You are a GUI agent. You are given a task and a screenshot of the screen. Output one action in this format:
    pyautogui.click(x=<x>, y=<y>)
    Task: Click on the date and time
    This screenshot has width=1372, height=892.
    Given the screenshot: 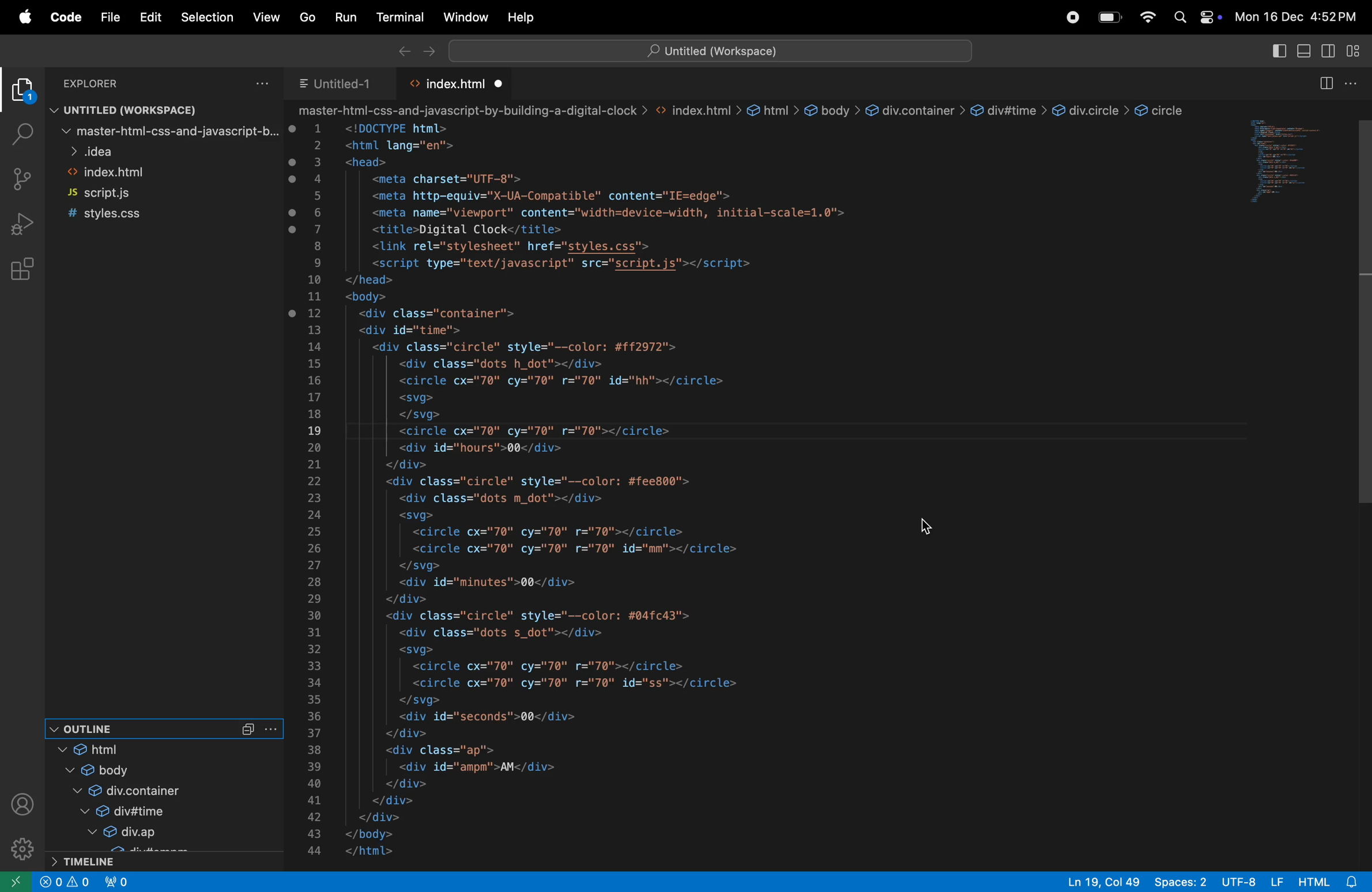 What is the action you would take?
    pyautogui.click(x=1299, y=16)
    